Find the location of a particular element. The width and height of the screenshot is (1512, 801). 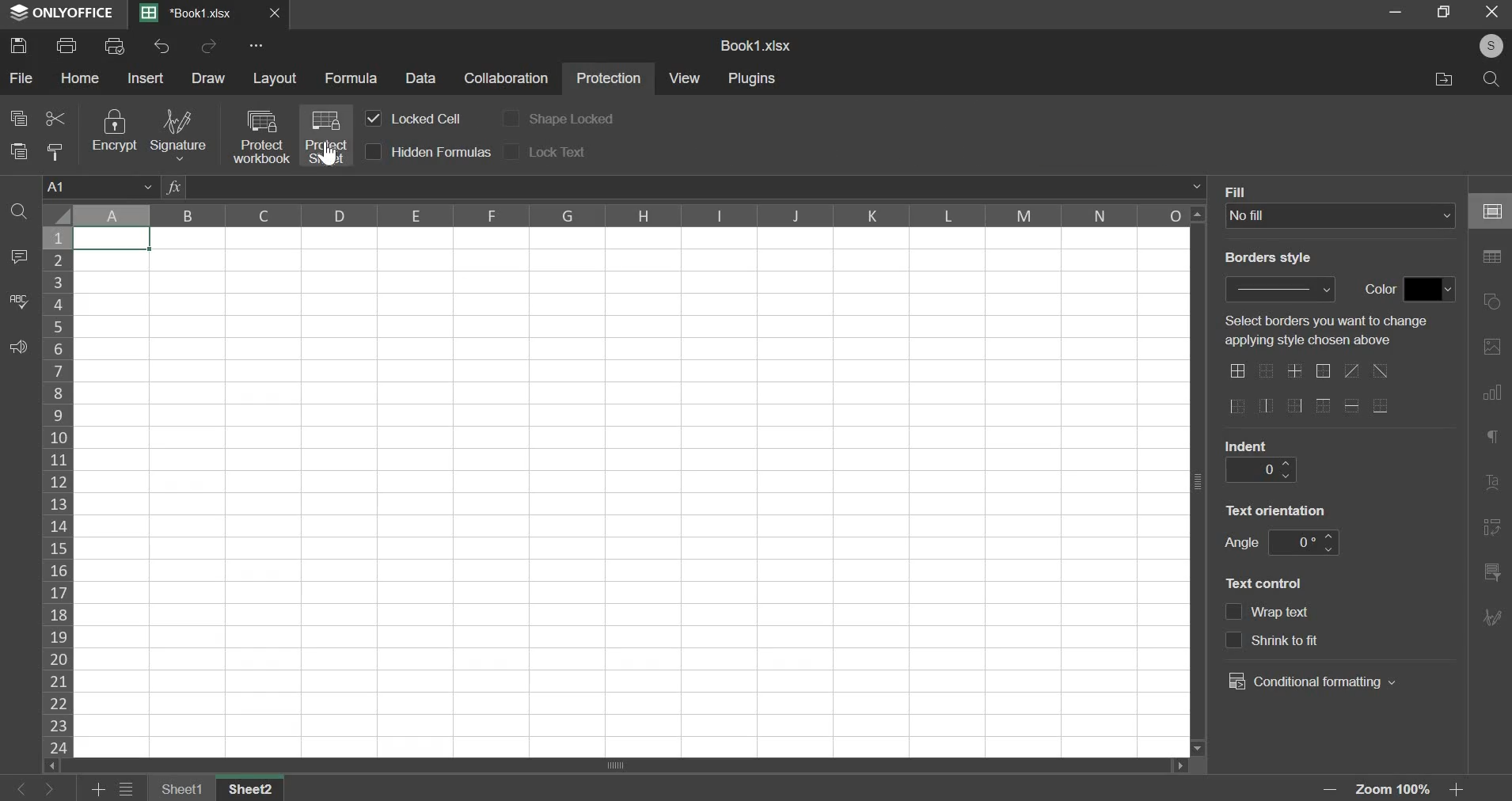

fx is located at coordinates (173, 187).